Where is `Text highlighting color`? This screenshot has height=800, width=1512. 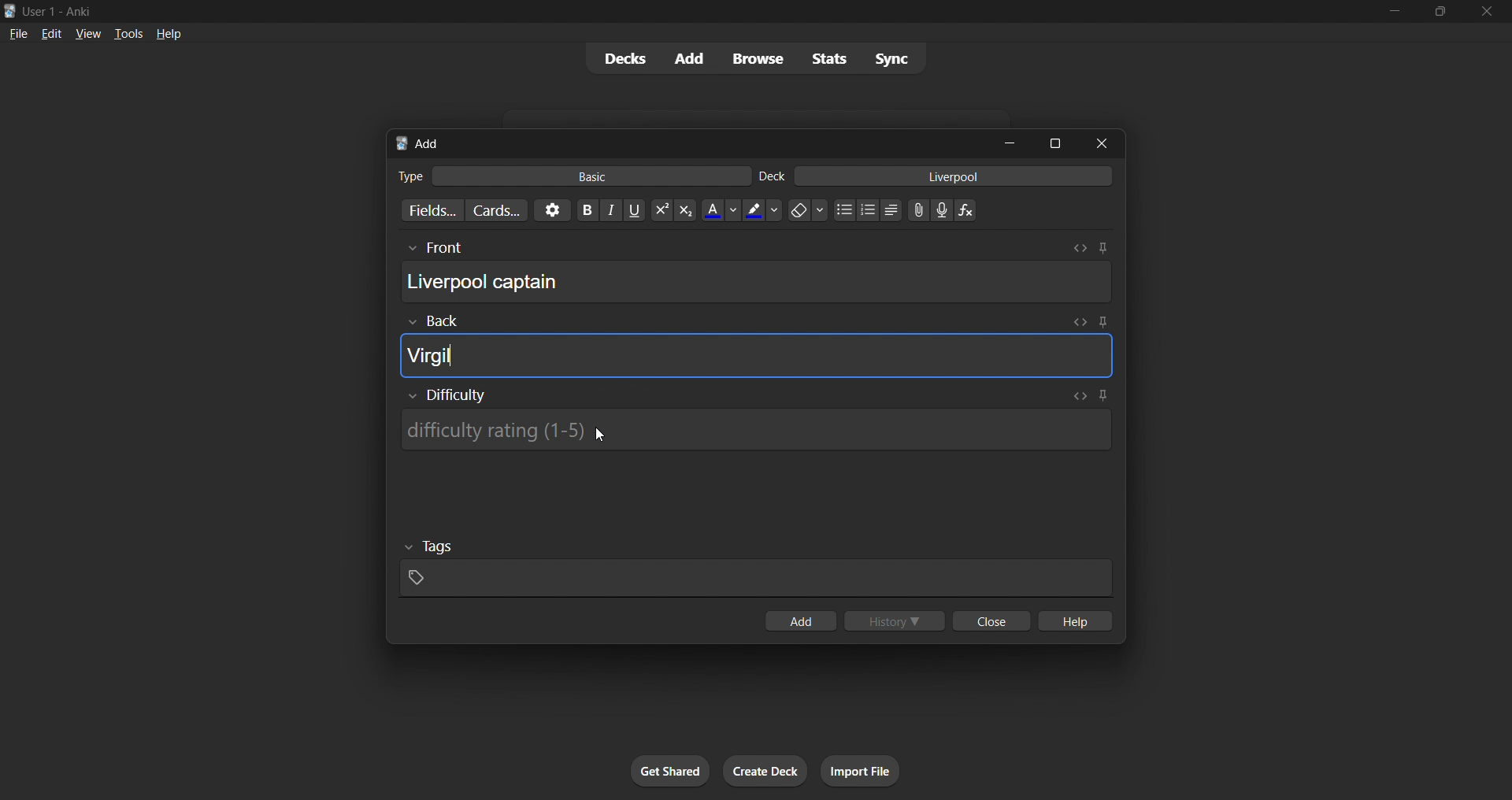
Text highlighting color is located at coordinates (762, 210).